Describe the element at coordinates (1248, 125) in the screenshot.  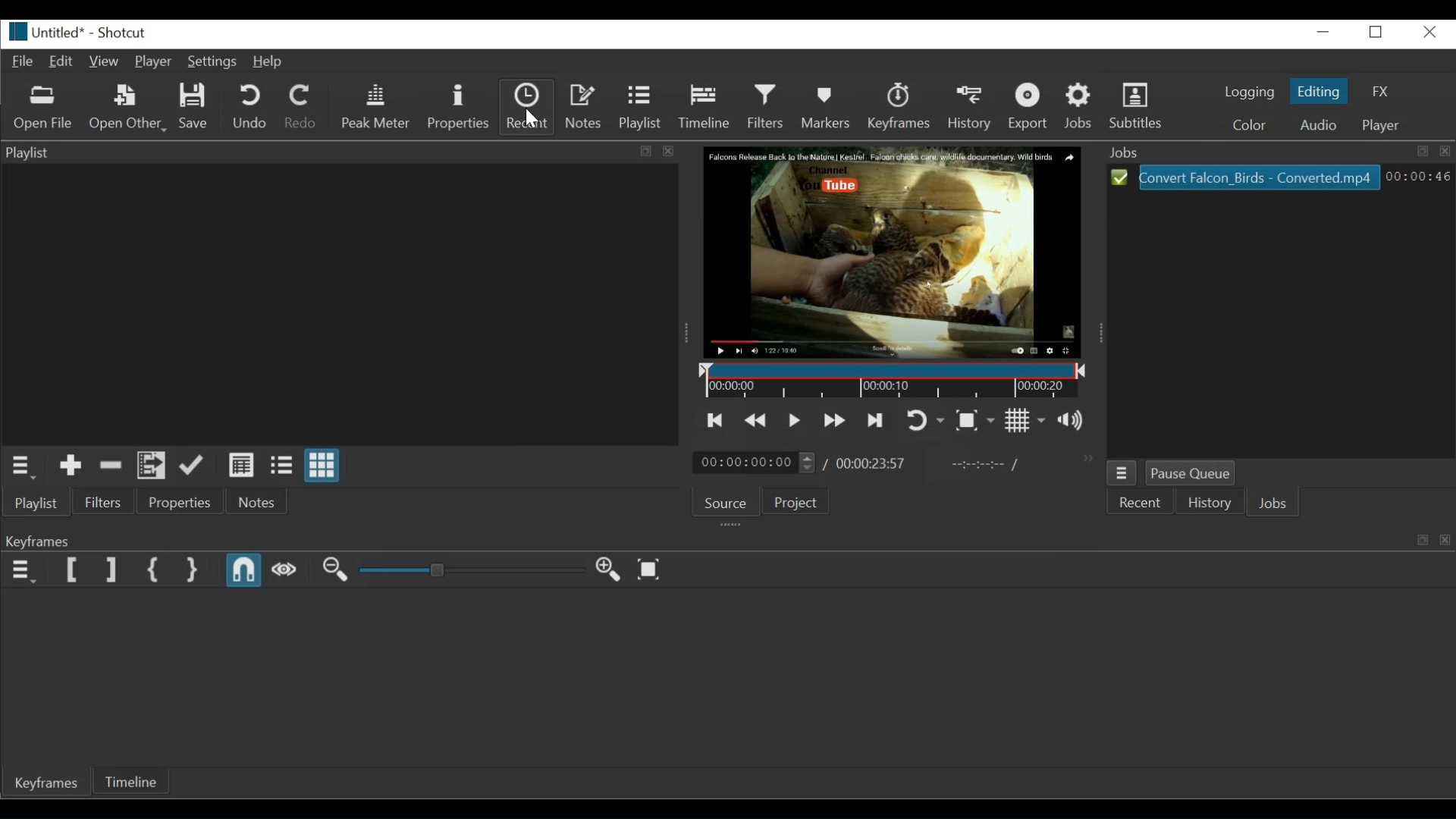
I see `Color` at that location.